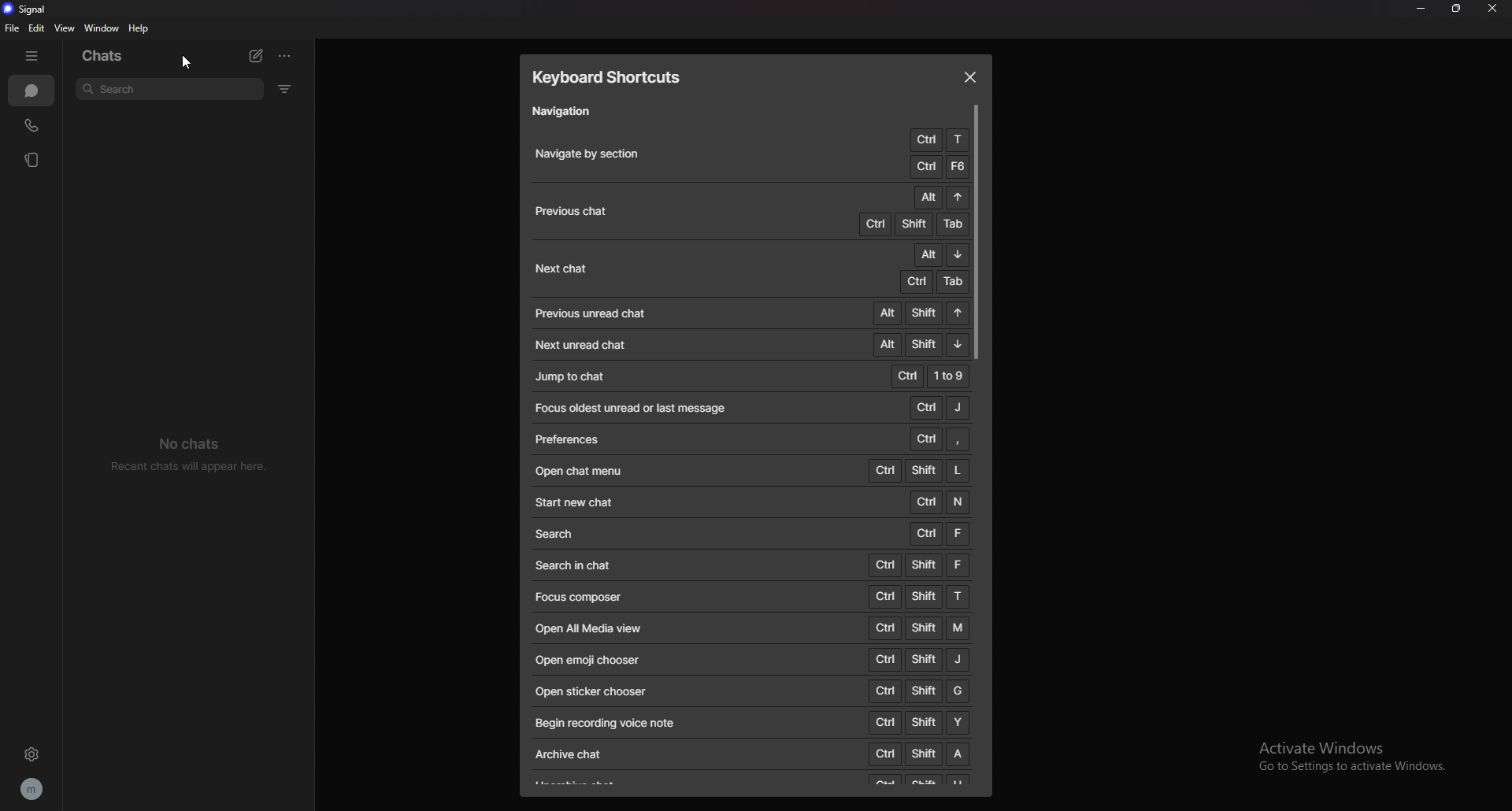 This screenshot has width=1512, height=811. I want to click on archive chat, so click(572, 754).